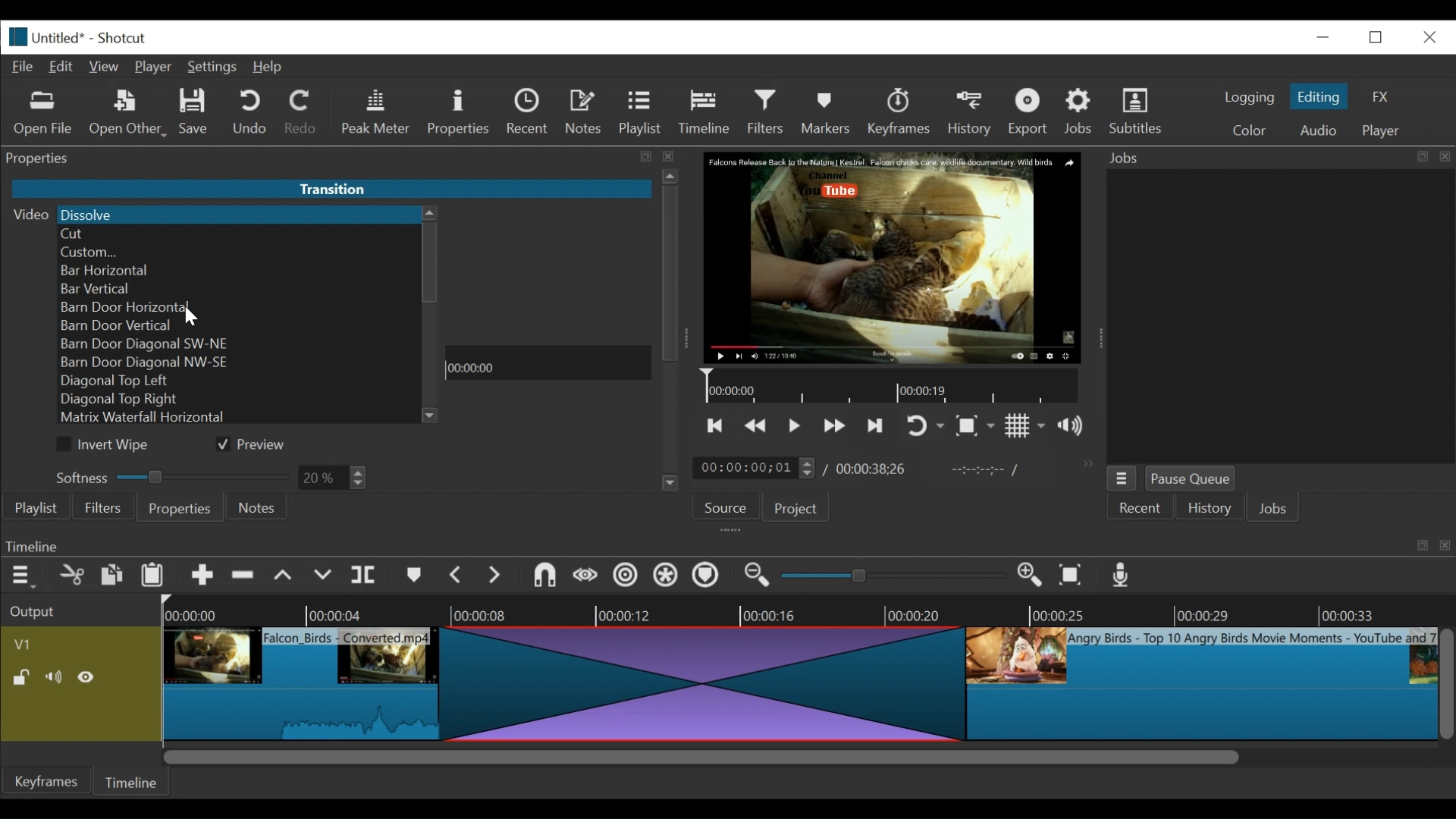 Image resolution: width=1456 pixels, height=819 pixels. I want to click on toggle player looping, so click(925, 427).